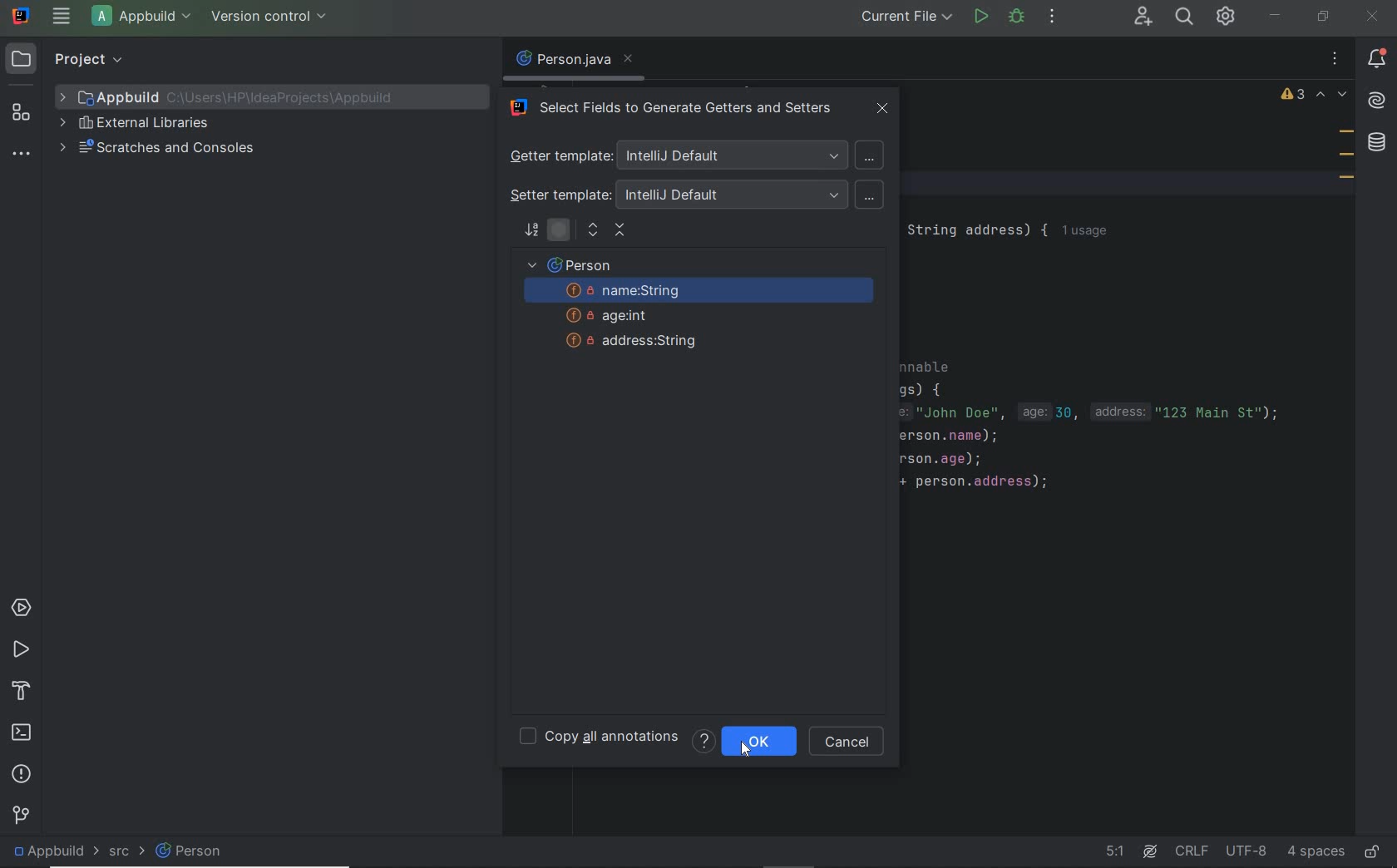 This screenshot has height=868, width=1397. I want to click on run, so click(981, 17).